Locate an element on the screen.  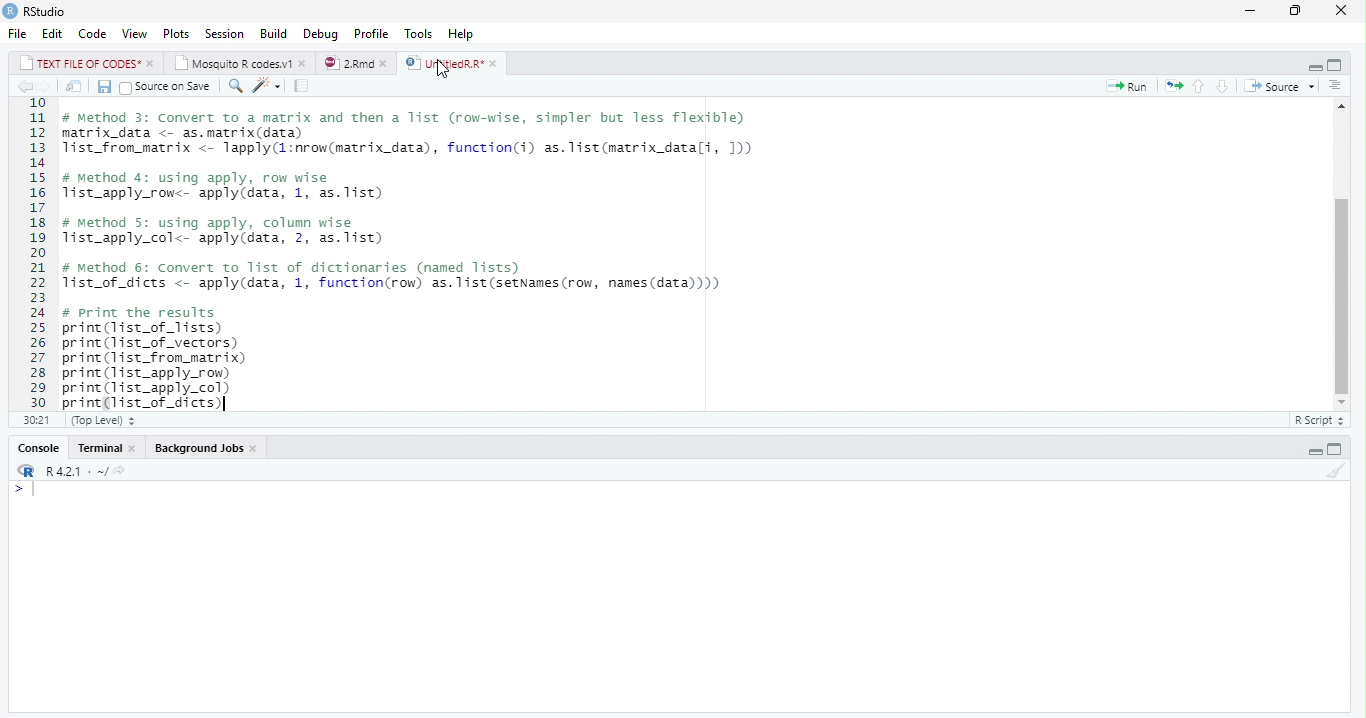
Close is located at coordinates (1342, 10).